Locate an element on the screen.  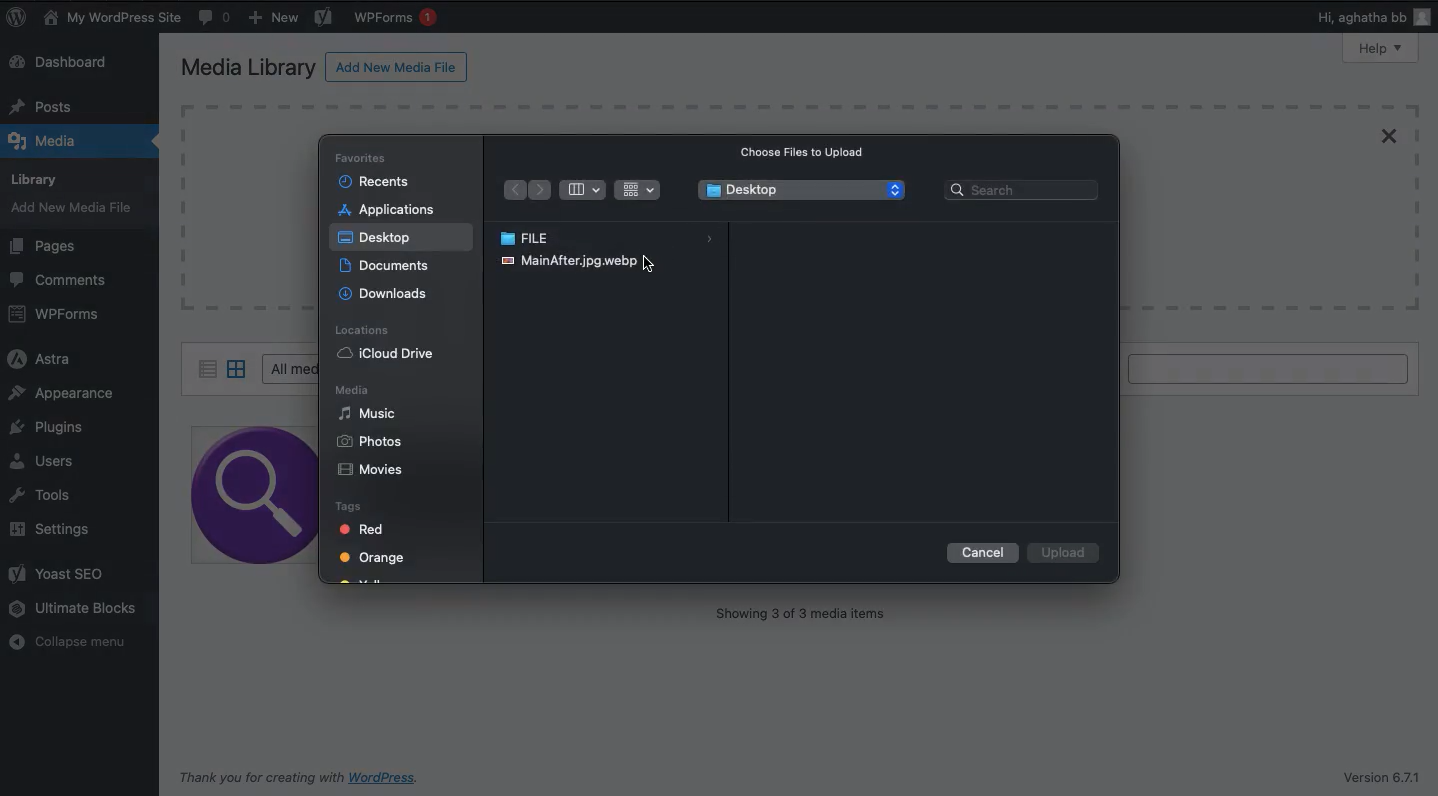
Yoast is located at coordinates (324, 19).